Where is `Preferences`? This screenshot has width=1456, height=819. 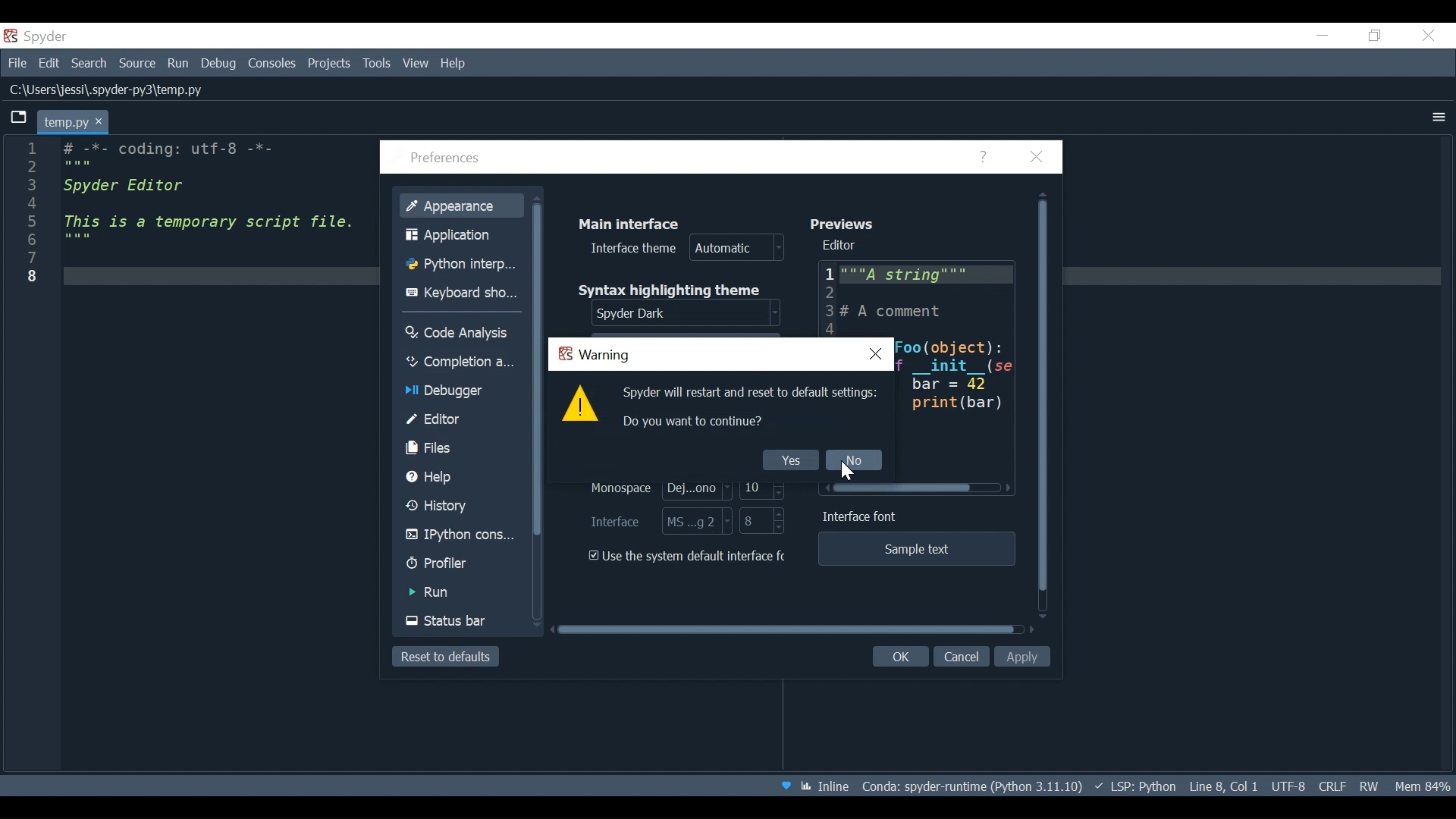 Preferences is located at coordinates (448, 159).